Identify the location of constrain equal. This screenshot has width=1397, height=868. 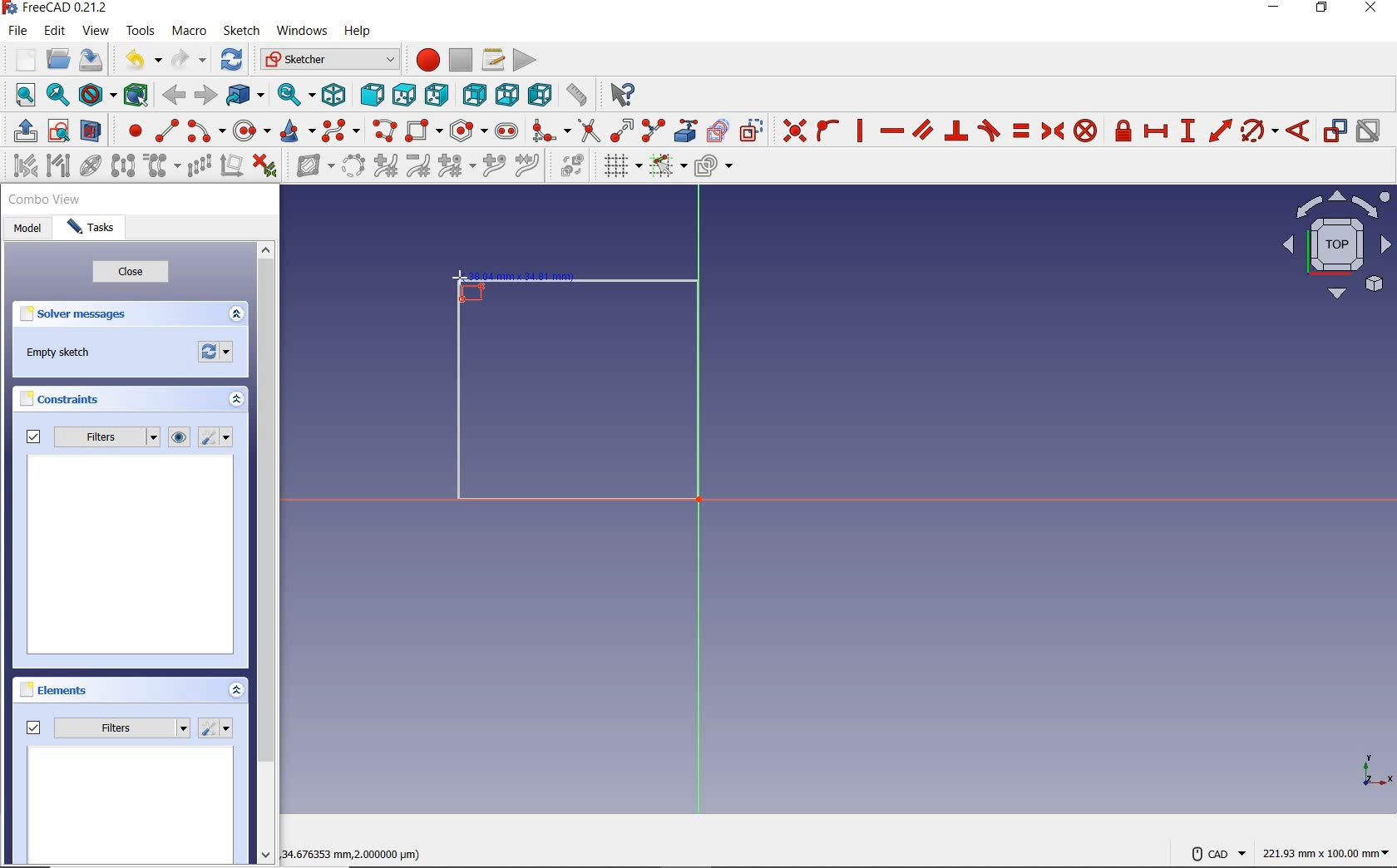
(1020, 131).